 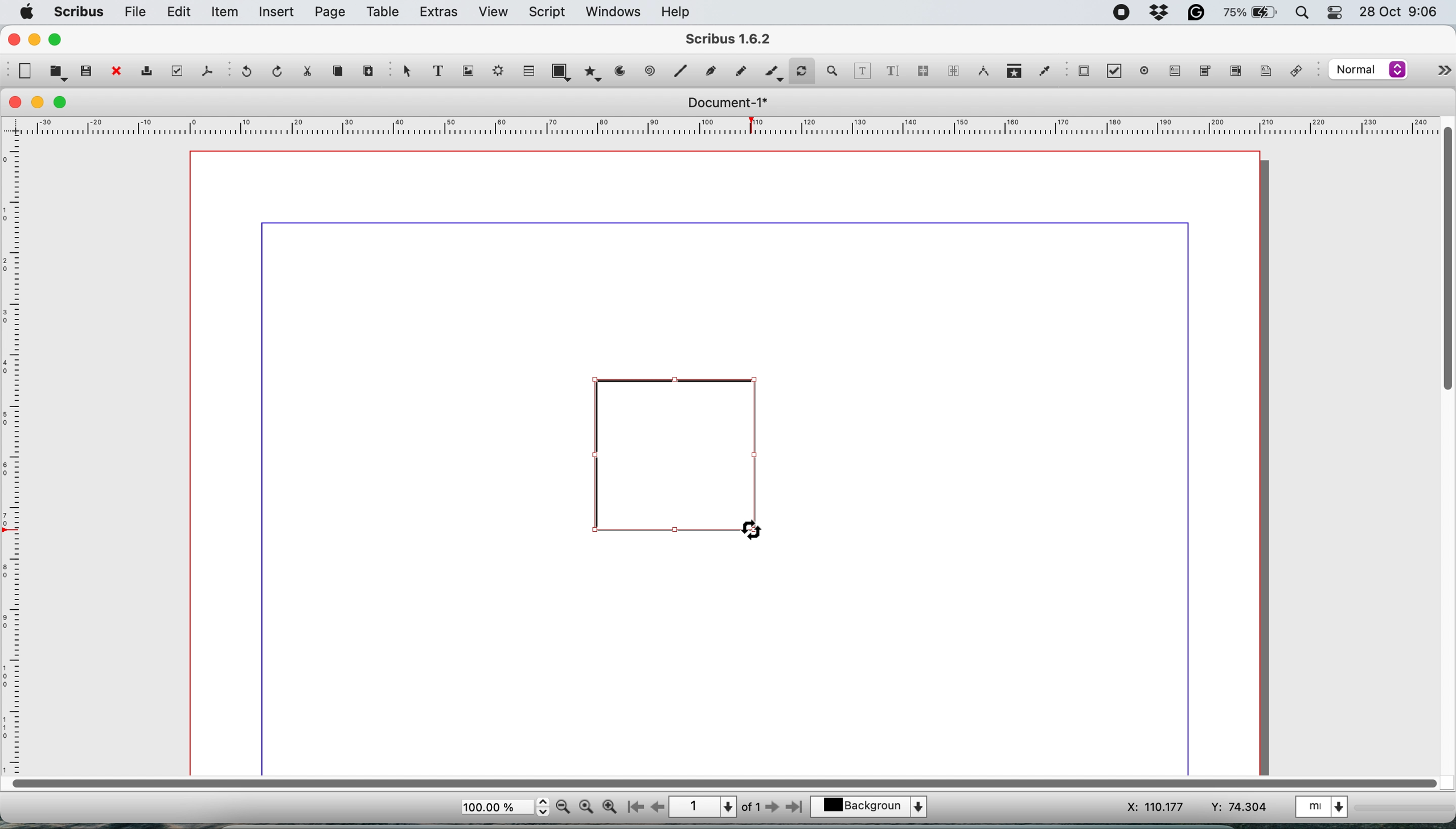 What do you see at coordinates (25, 71) in the screenshot?
I see `new` at bounding box center [25, 71].